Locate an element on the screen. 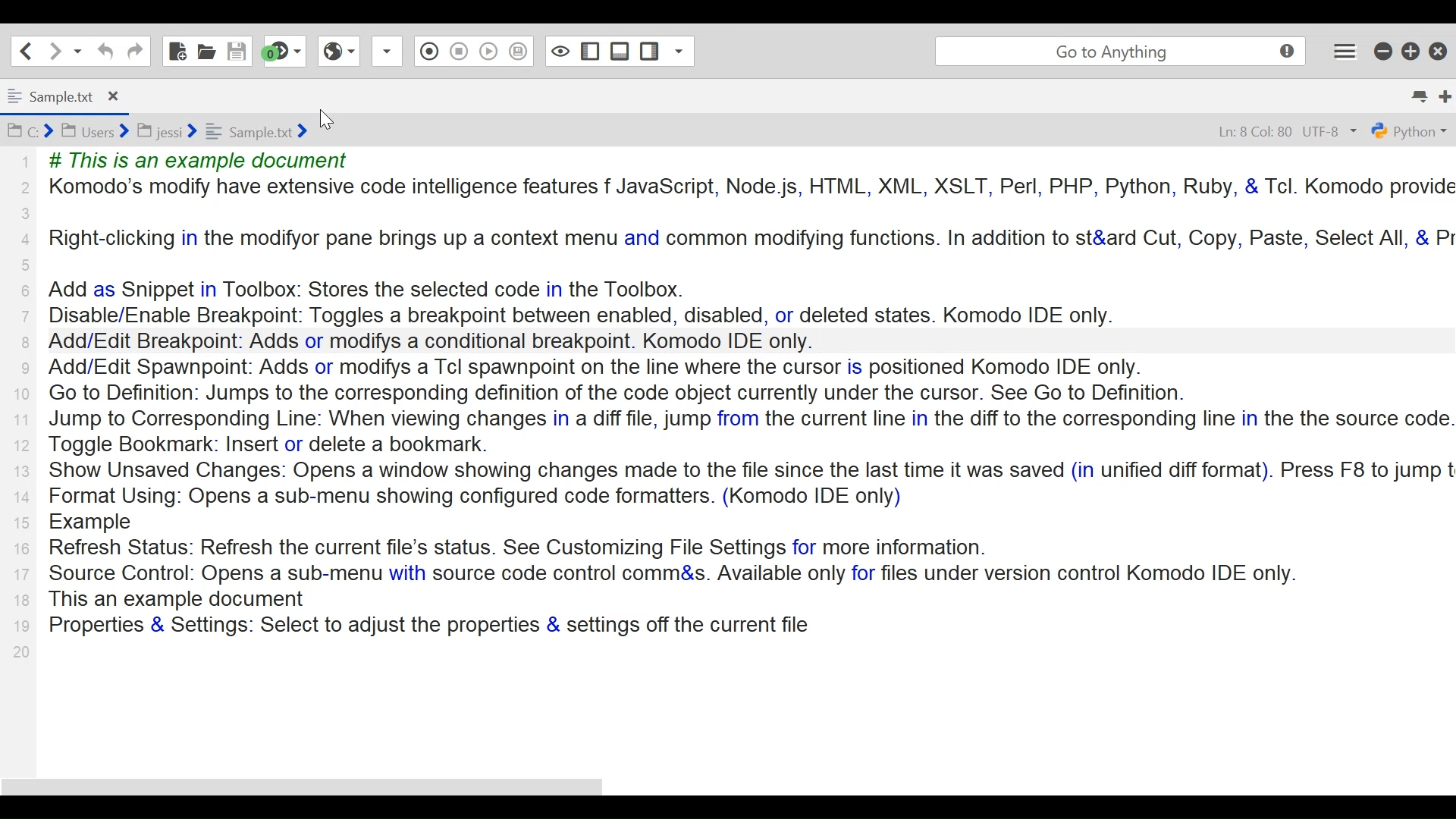 This screenshot has width=1456, height=819. Go Forward one location is located at coordinates (54, 50).